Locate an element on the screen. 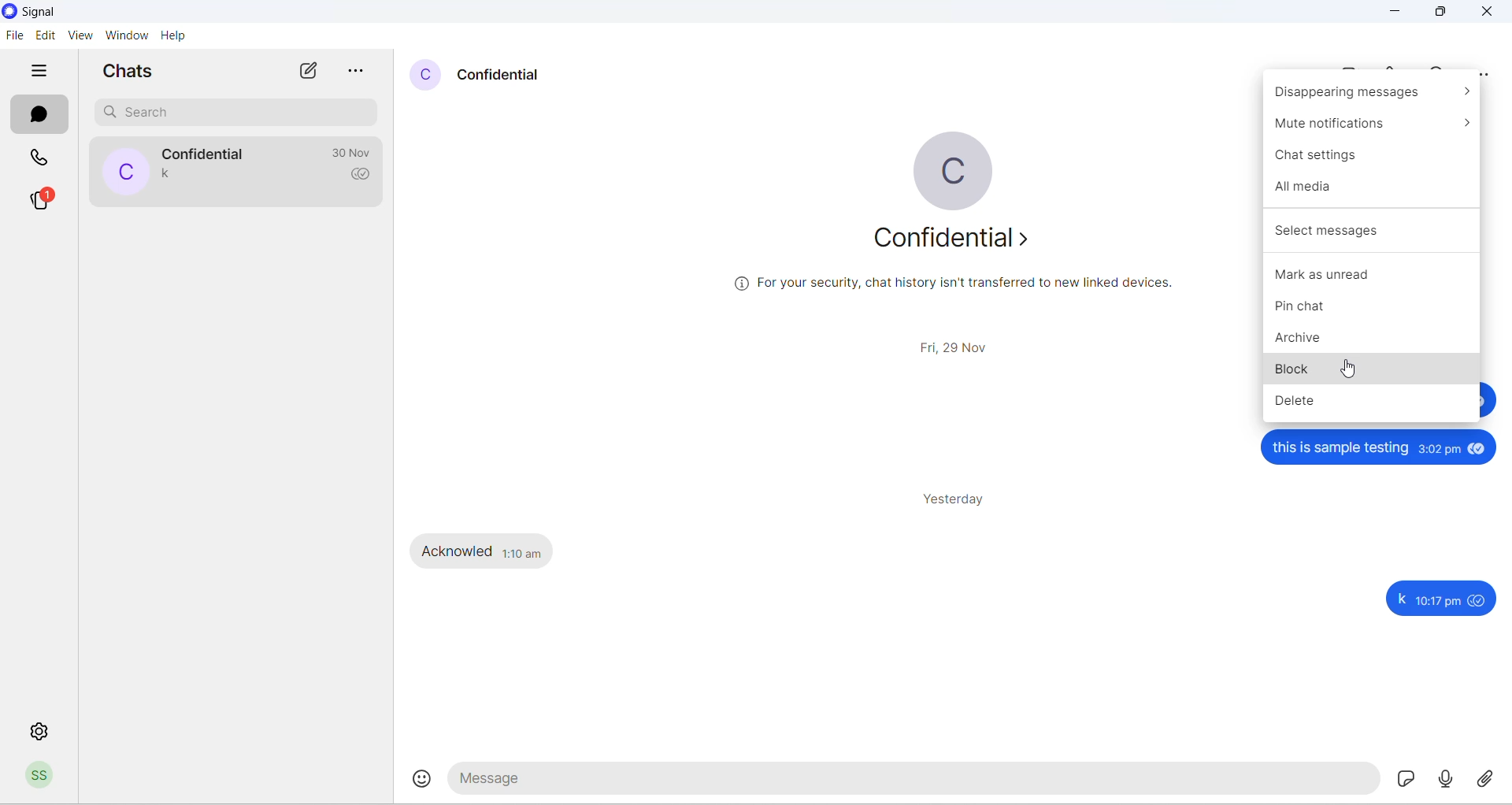 The width and height of the screenshot is (1512, 805). window is located at coordinates (124, 35).